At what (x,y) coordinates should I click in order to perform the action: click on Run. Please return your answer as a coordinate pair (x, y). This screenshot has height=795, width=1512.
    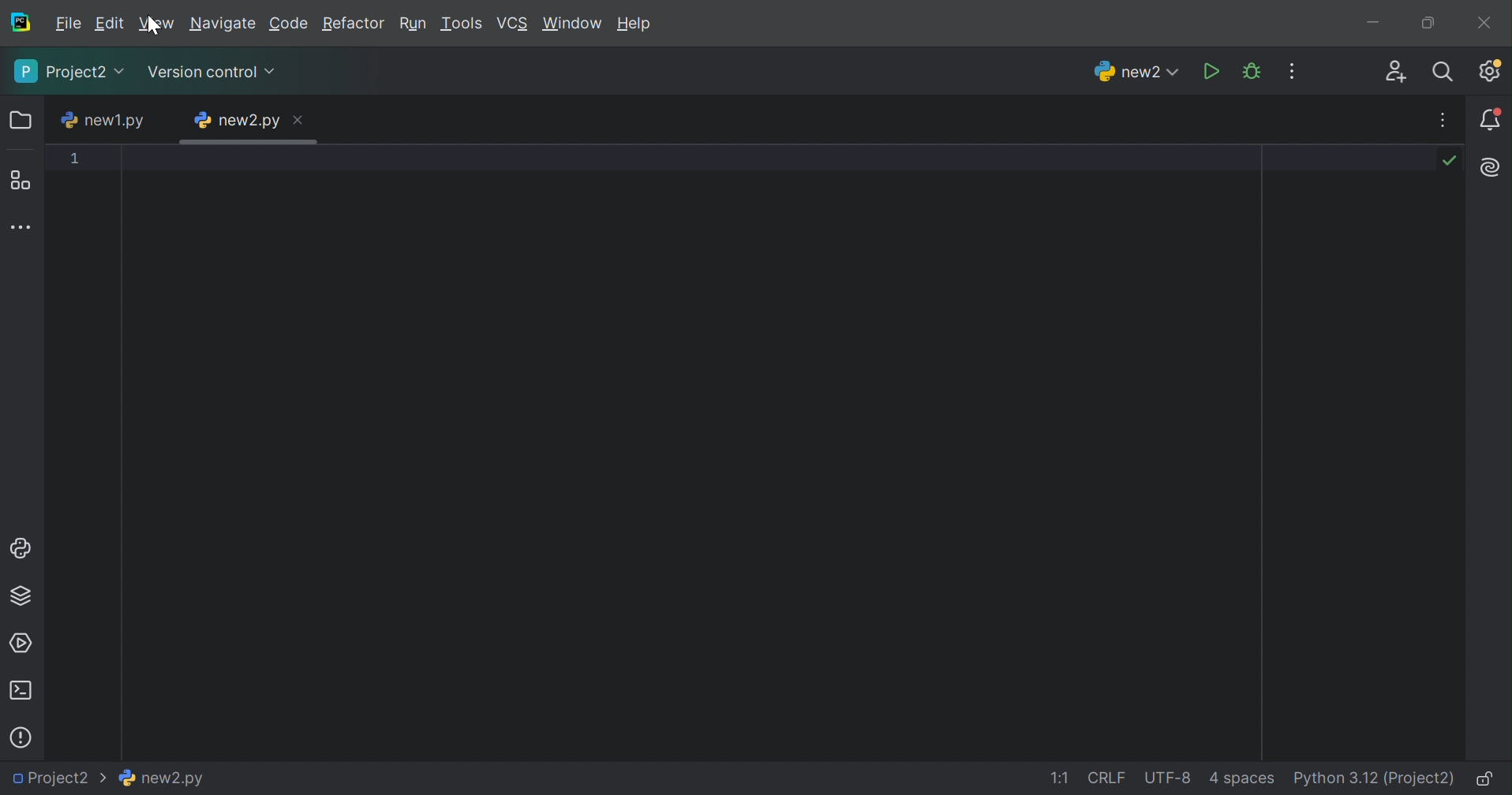
    Looking at the image, I should click on (1214, 72).